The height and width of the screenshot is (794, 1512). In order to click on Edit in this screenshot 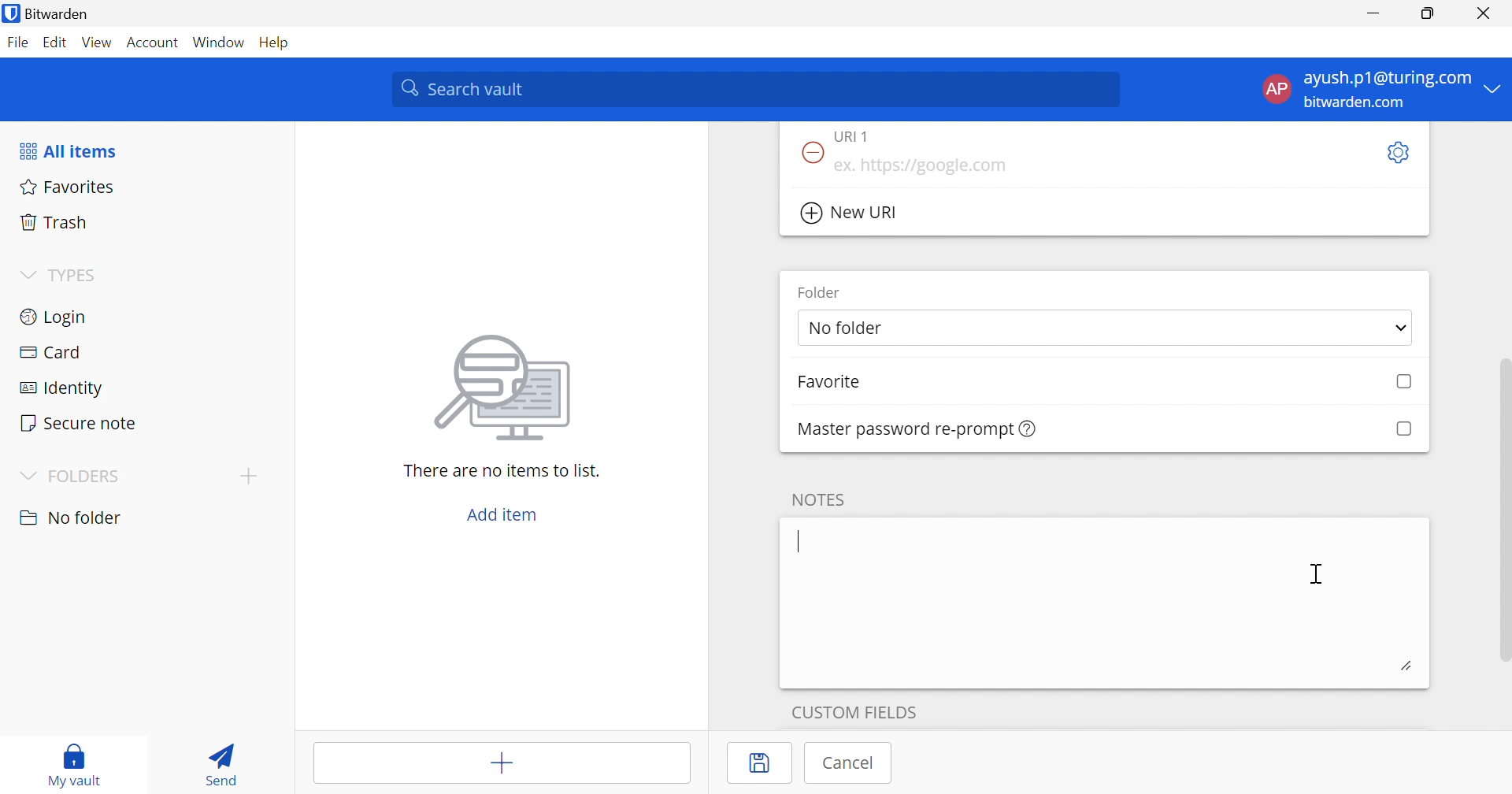, I will do `click(54, 43)`.